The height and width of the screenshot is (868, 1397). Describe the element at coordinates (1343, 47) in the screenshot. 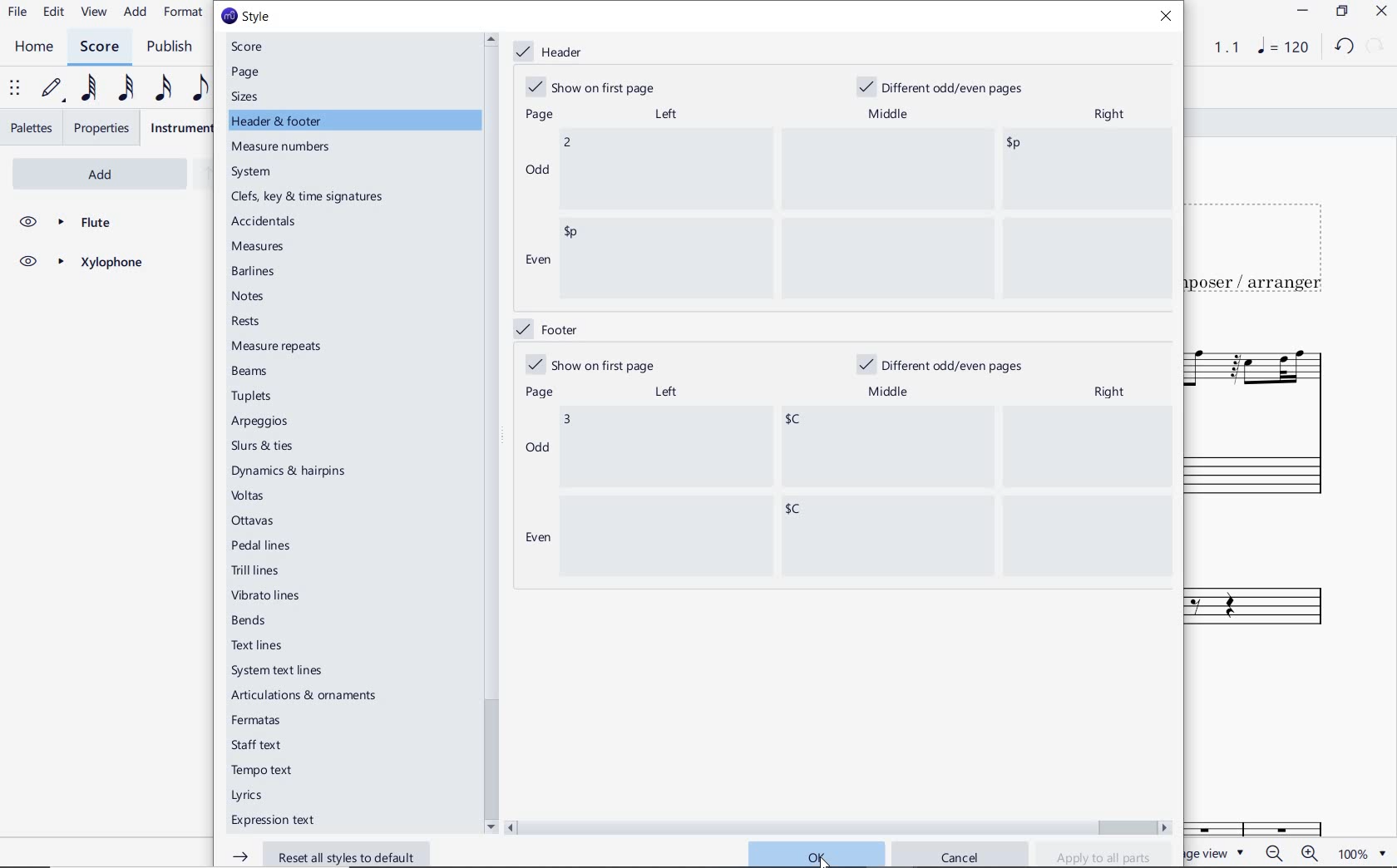

I see `UNDO` at that location.